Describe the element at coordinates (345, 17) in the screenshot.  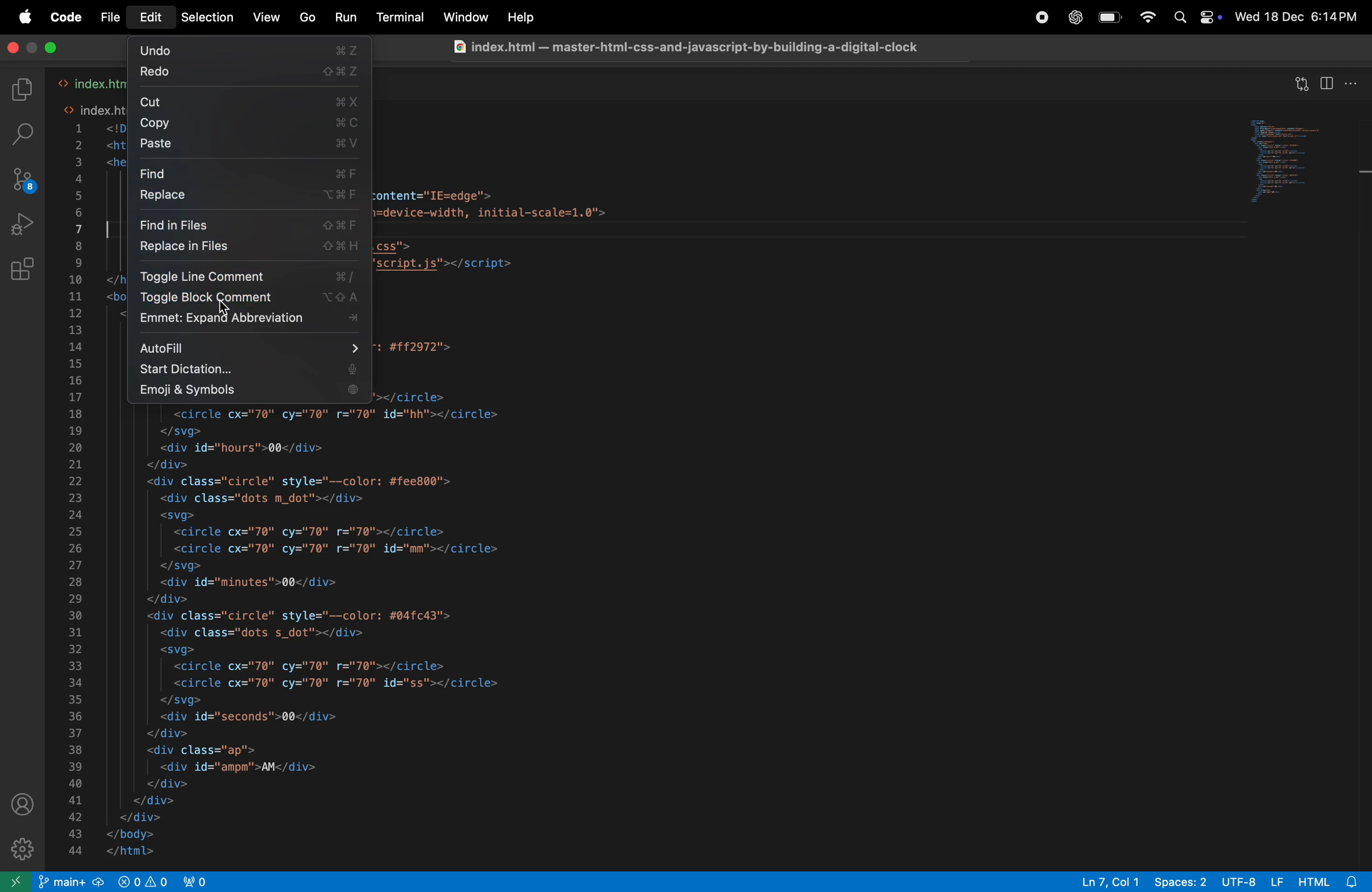
I see `run` at that location.